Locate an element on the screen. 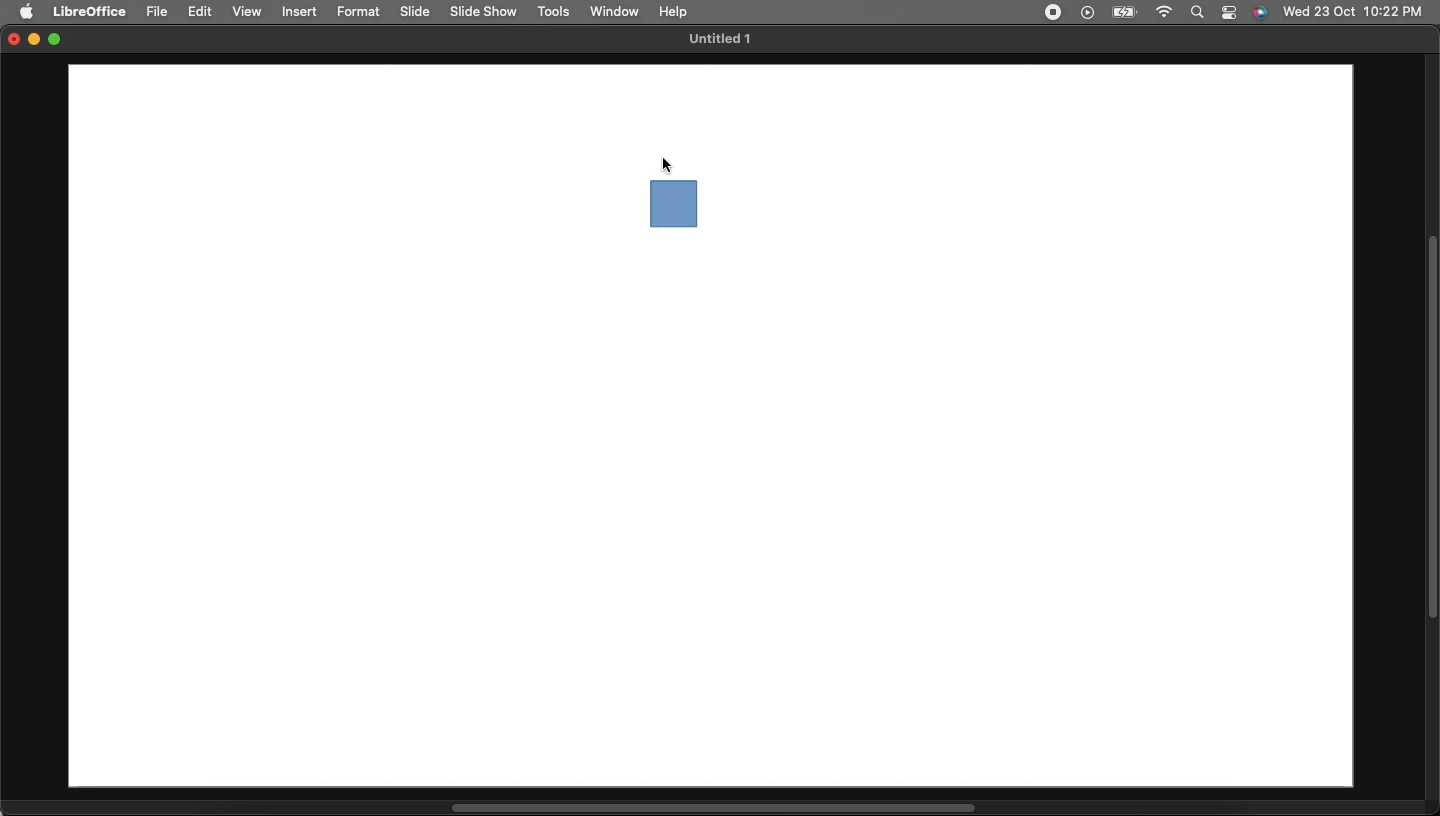  Help is located at coordinates (673, 9).